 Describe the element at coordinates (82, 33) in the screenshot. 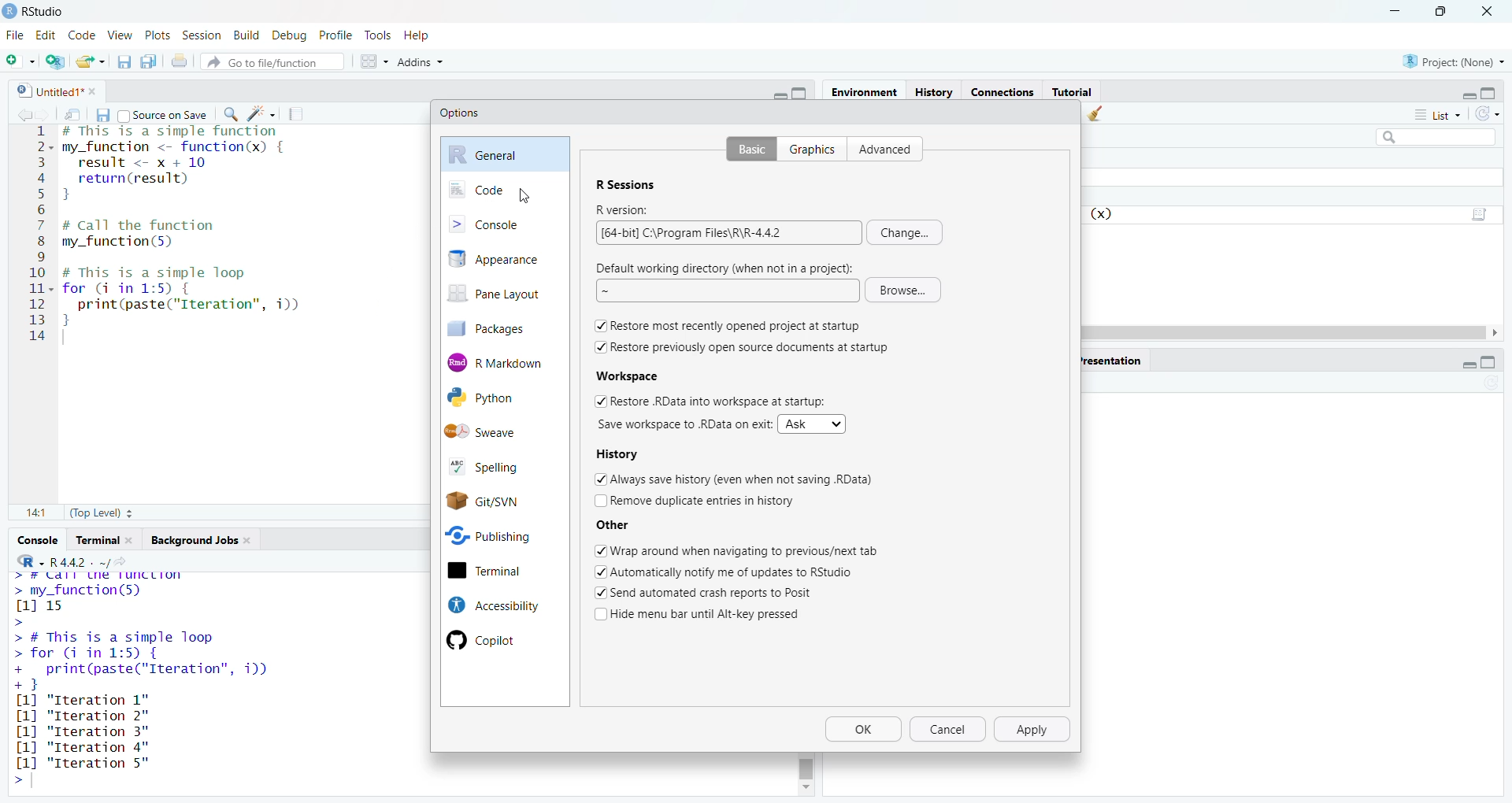

I see `code` at that location.